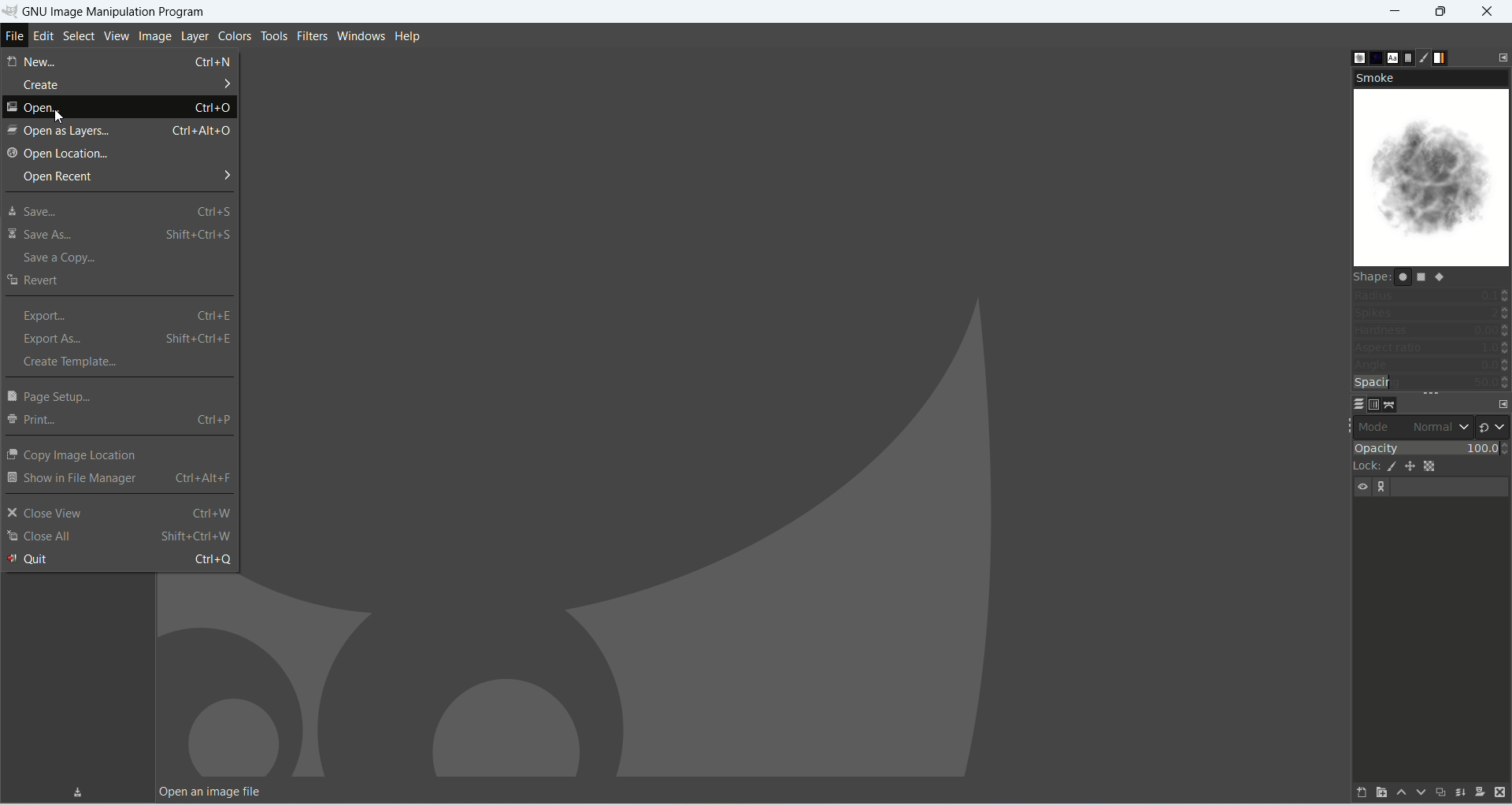  What do you see at coordinates (125, 176) in the screenshot?
I see `open recent` at bounding box center [125, 176].